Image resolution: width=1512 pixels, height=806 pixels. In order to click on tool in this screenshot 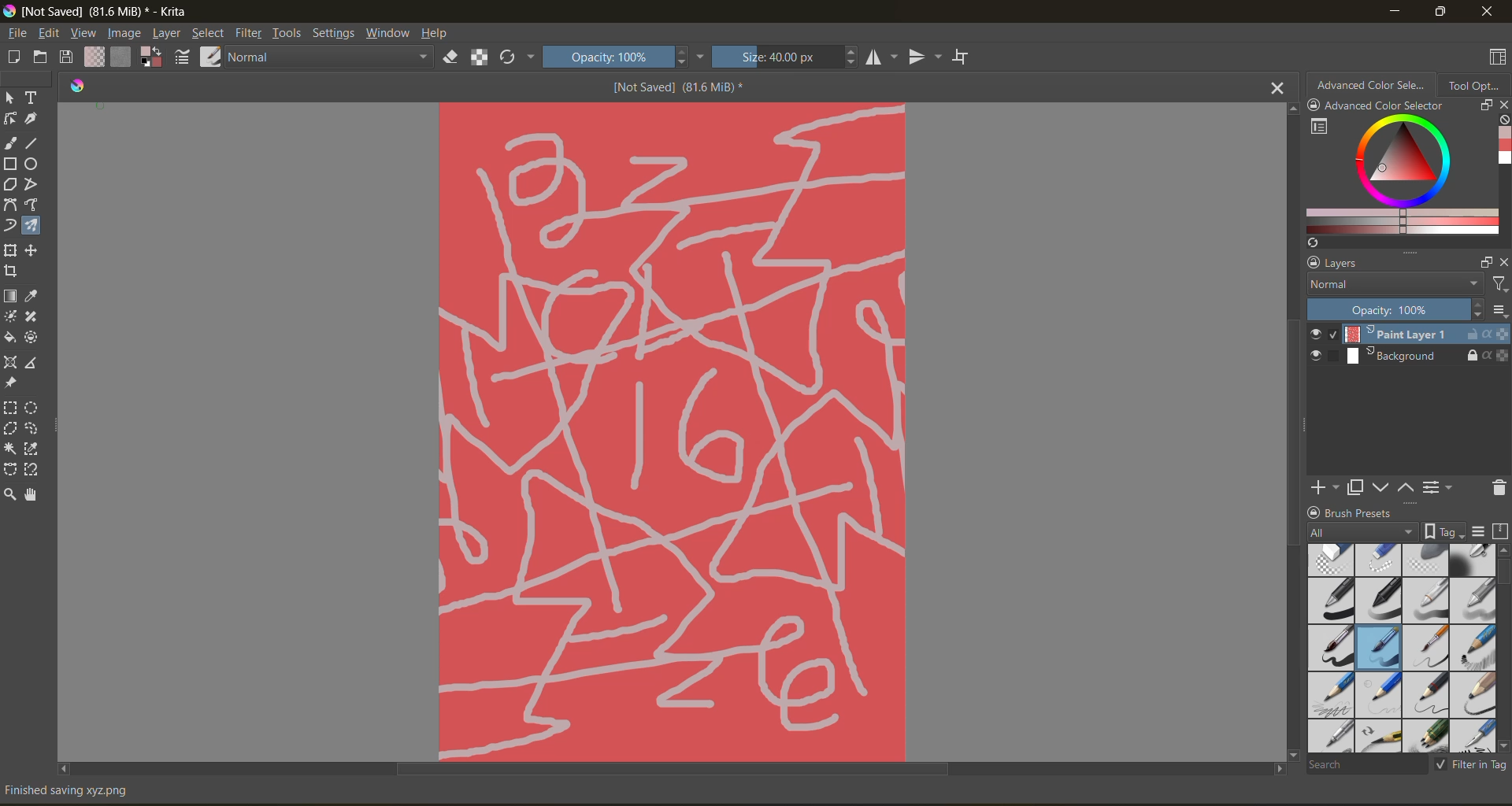, I will do `click(31, 494)`.